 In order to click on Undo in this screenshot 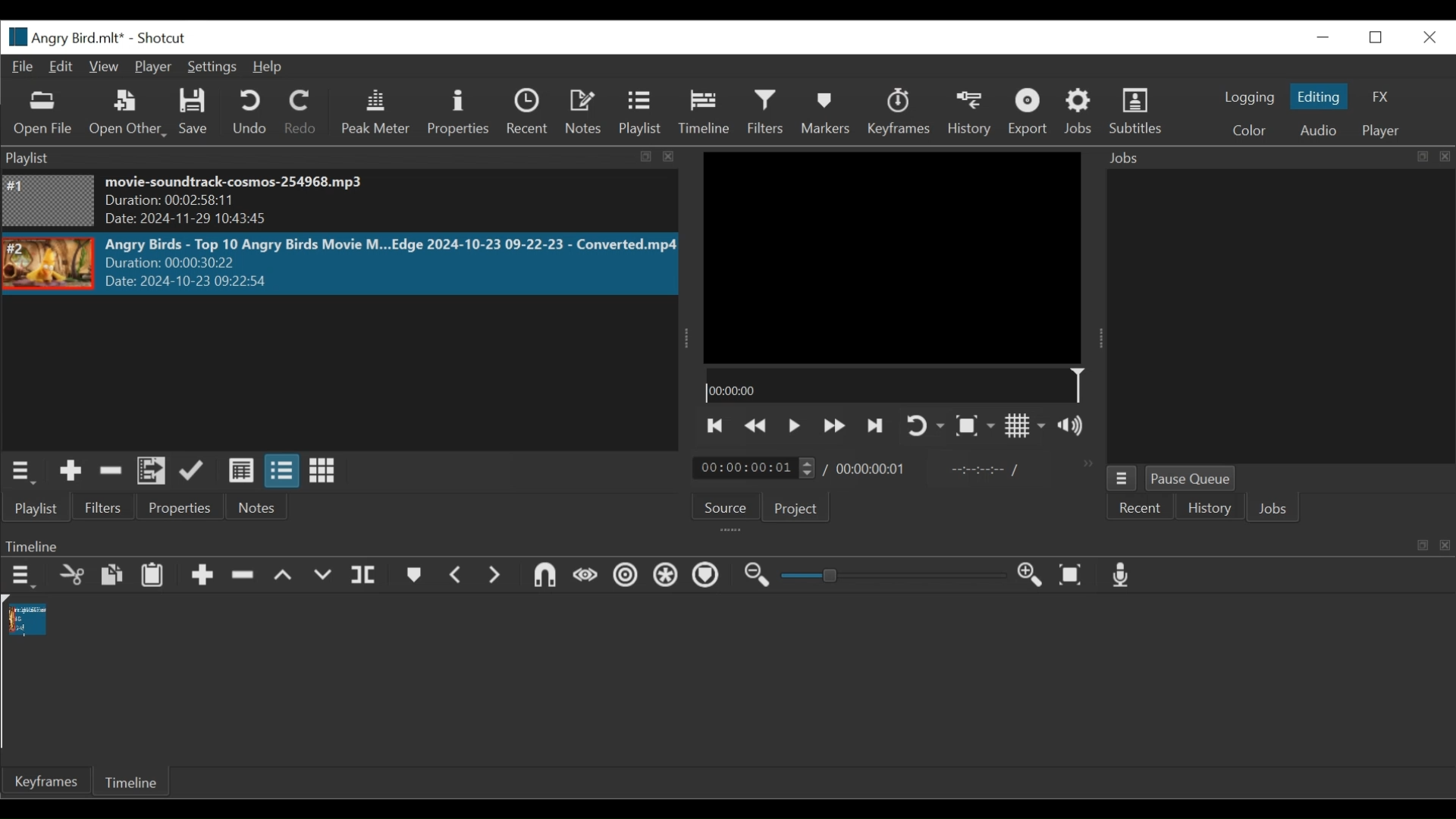, I will do `click(251, 112)`.